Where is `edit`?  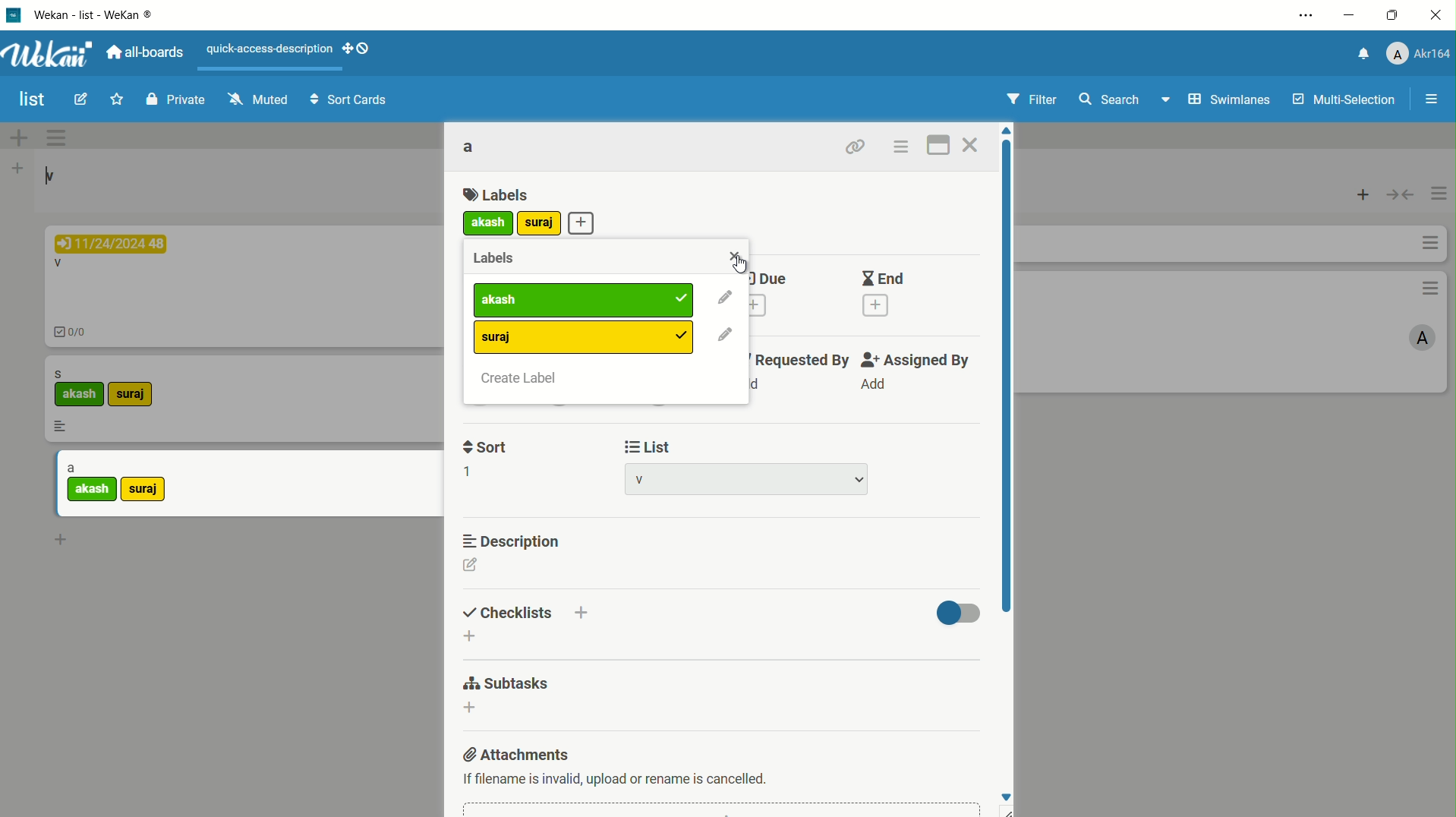 edit is located at coordinates (724, 337).